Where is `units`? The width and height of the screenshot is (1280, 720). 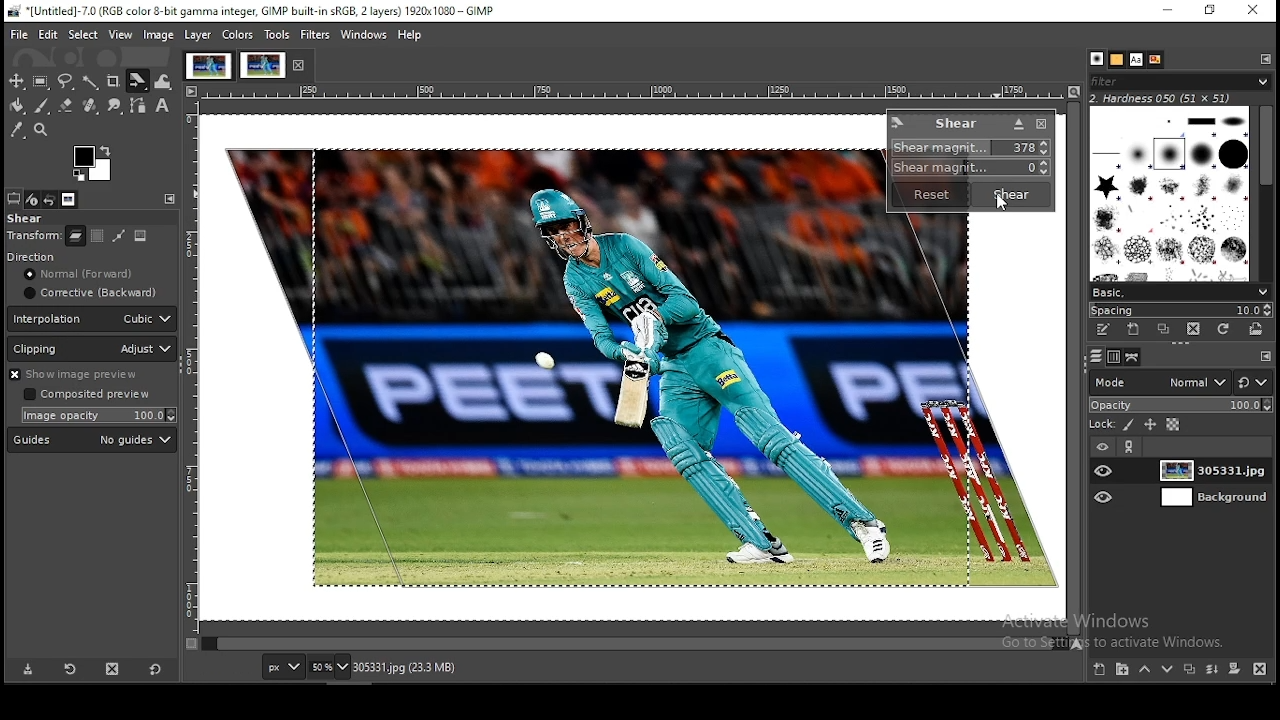 units is located at coordinates (284, 667).